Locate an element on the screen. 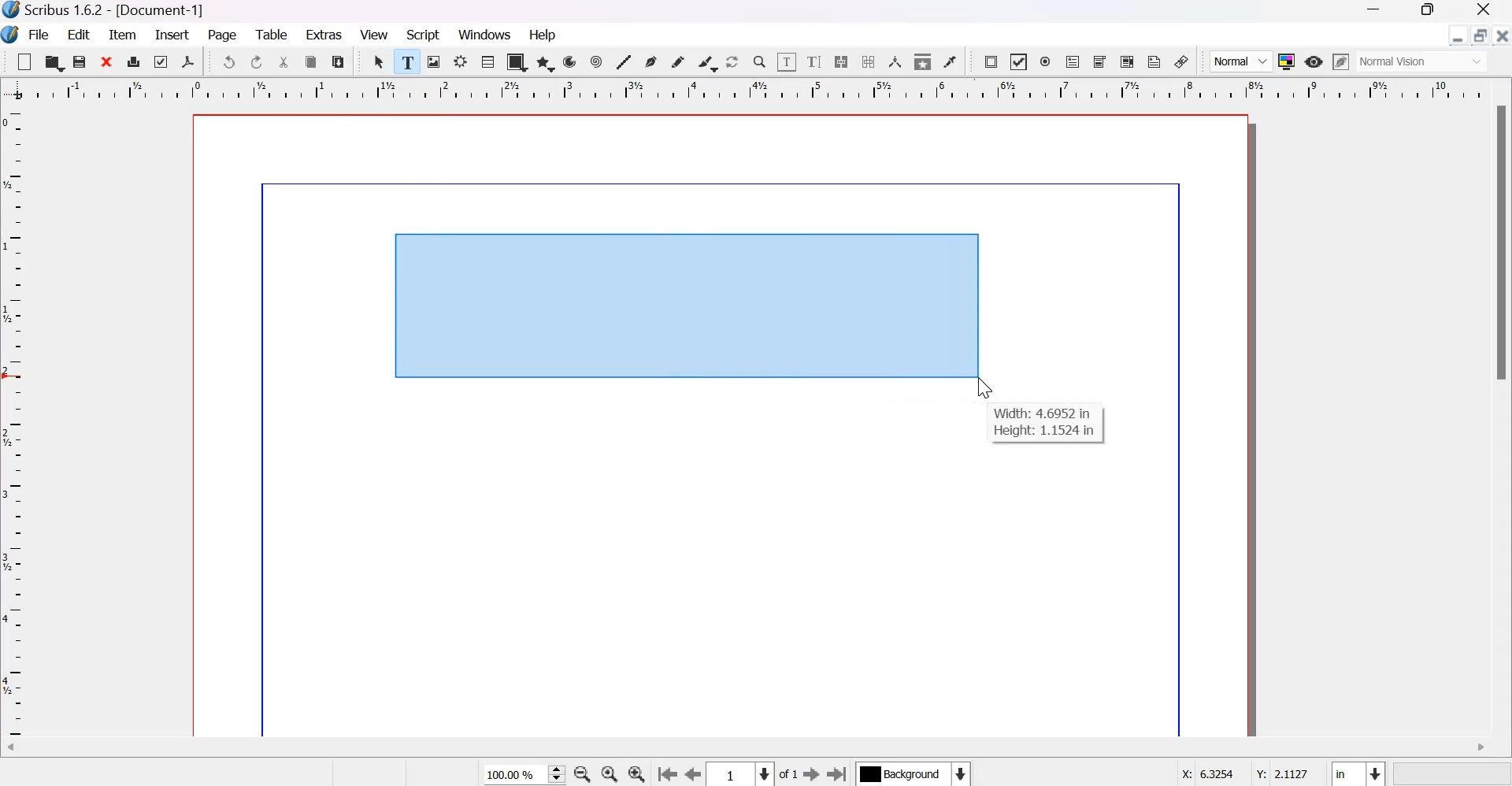  edit in preview mode is located at coordinates (1341, 61).